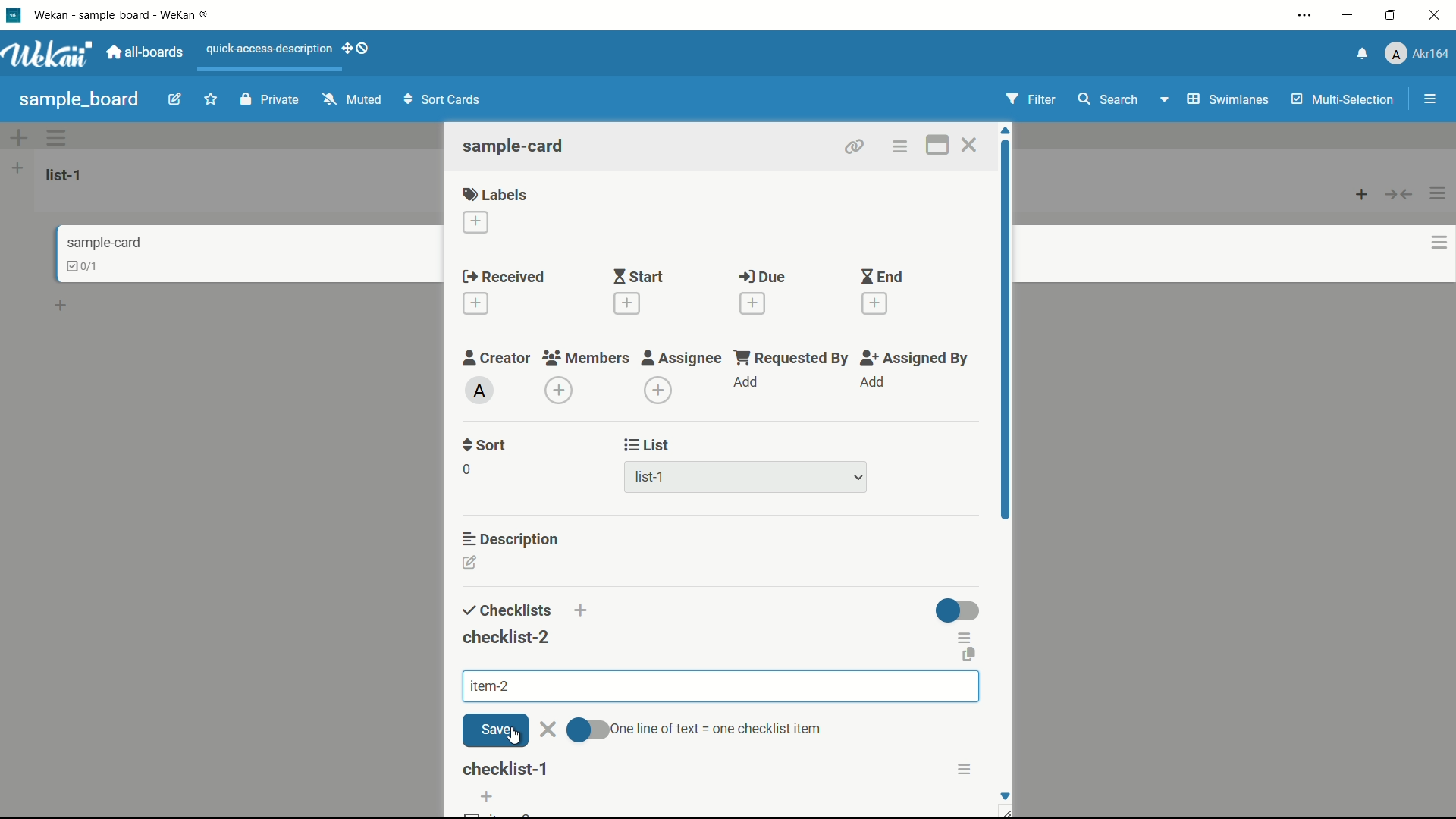  I want to click on toggle button, so click(589, 731).